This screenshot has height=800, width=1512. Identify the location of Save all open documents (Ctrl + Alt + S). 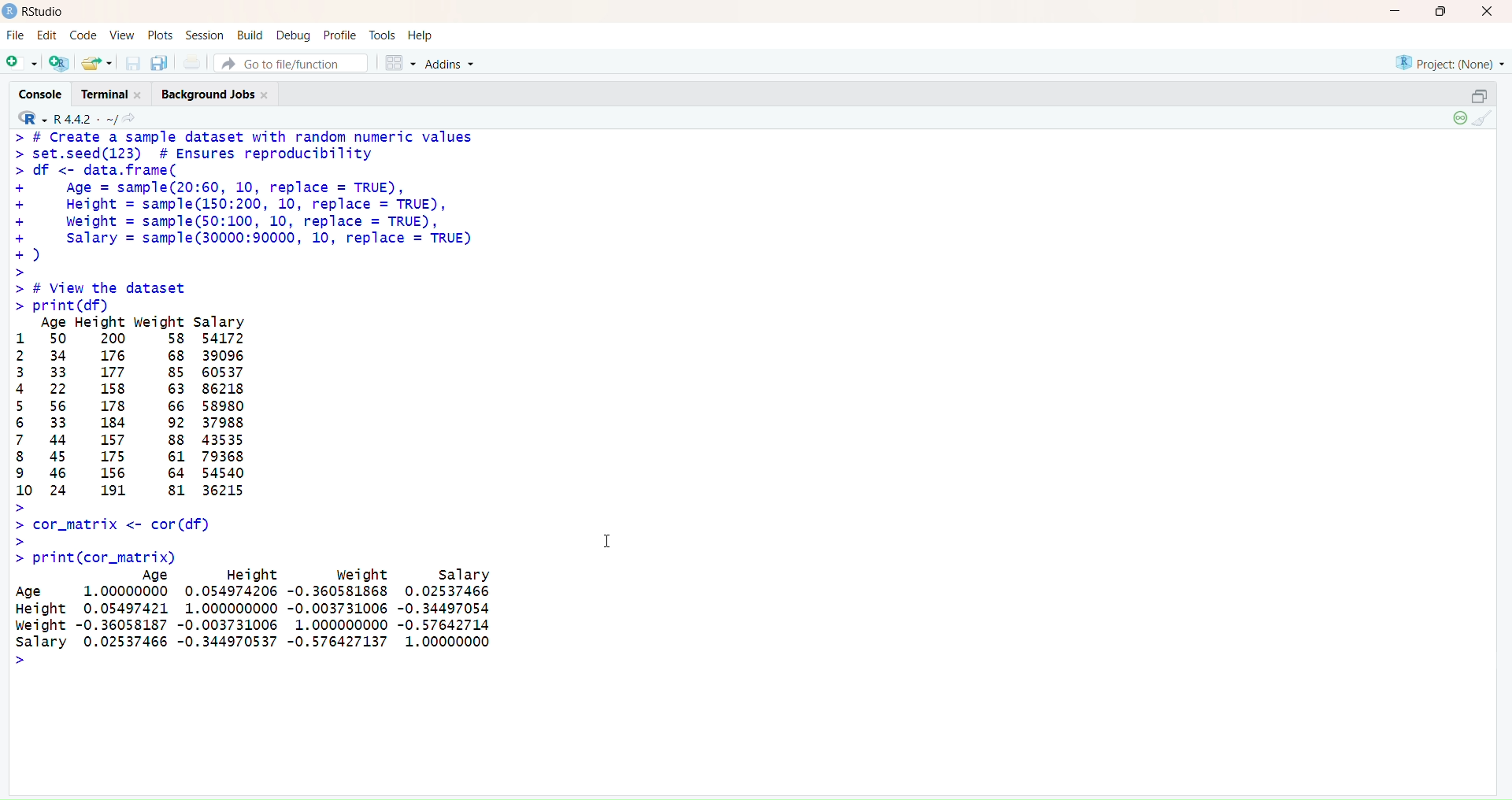
(160, 61).